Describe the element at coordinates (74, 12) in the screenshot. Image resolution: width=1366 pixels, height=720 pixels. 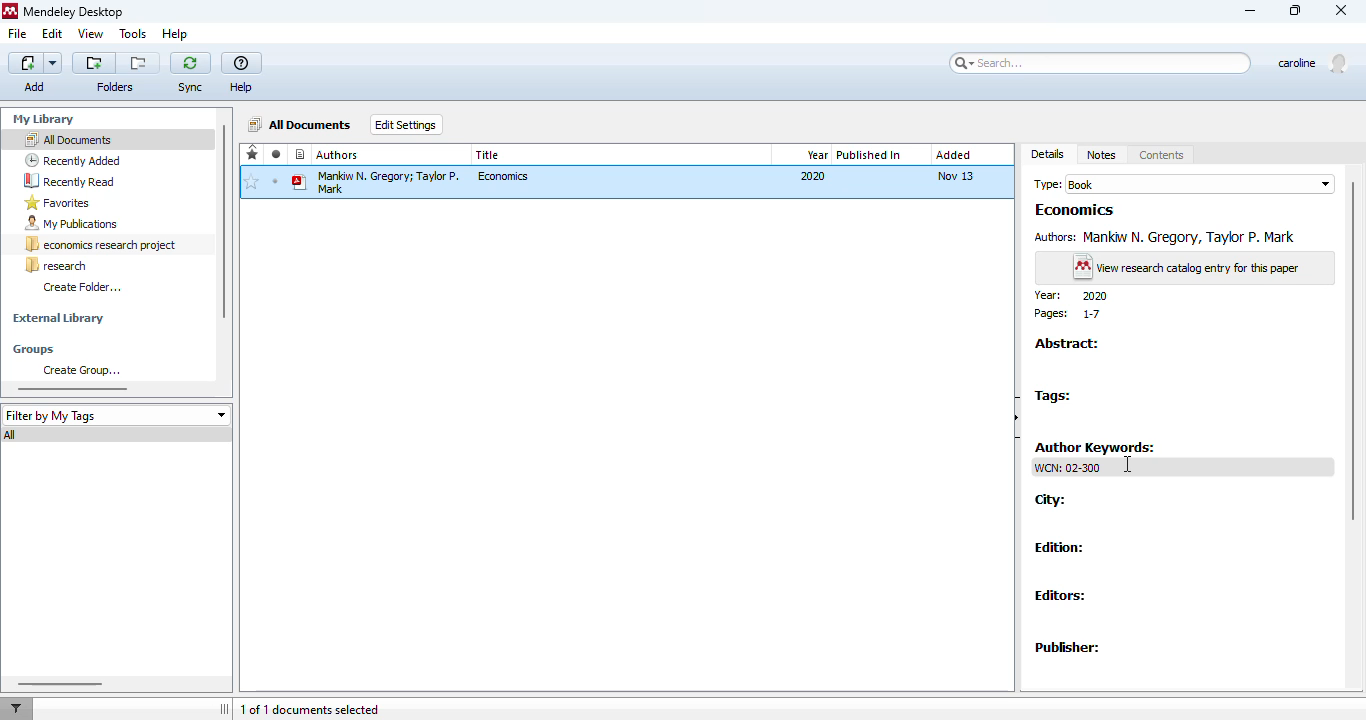
I see `mendeley desktop` at that location.